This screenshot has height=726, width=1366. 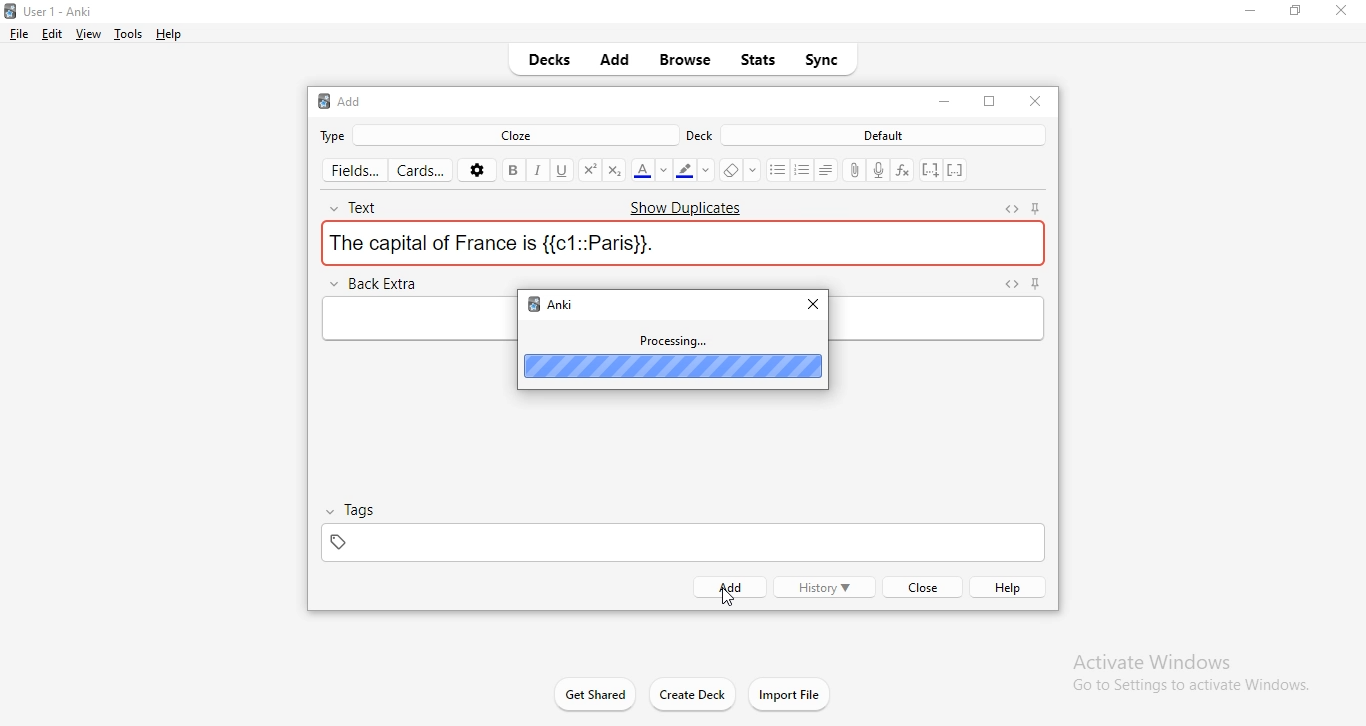 I want to click on add, so click(x=617, y=62).